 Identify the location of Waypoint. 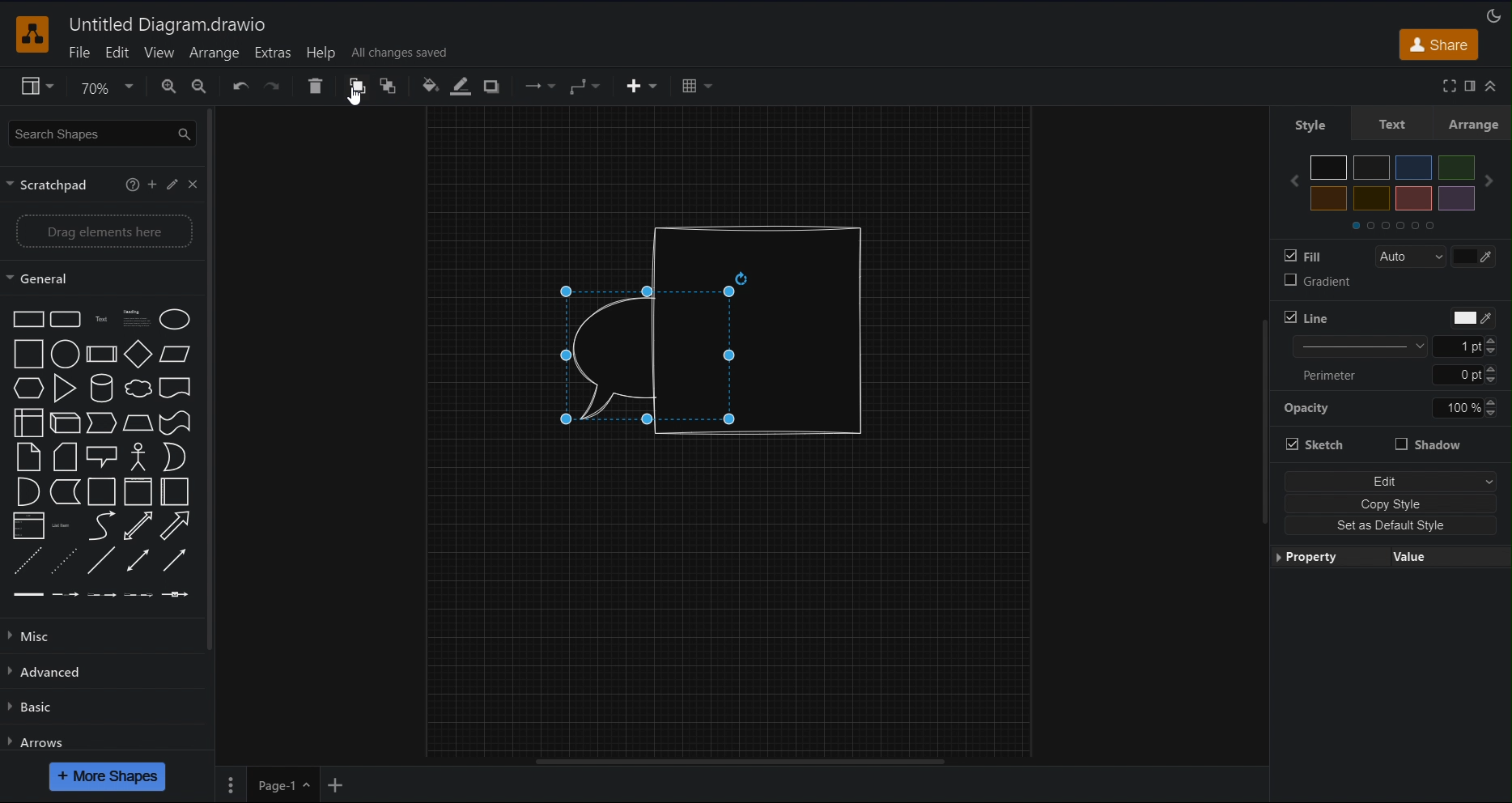
(586, 86).